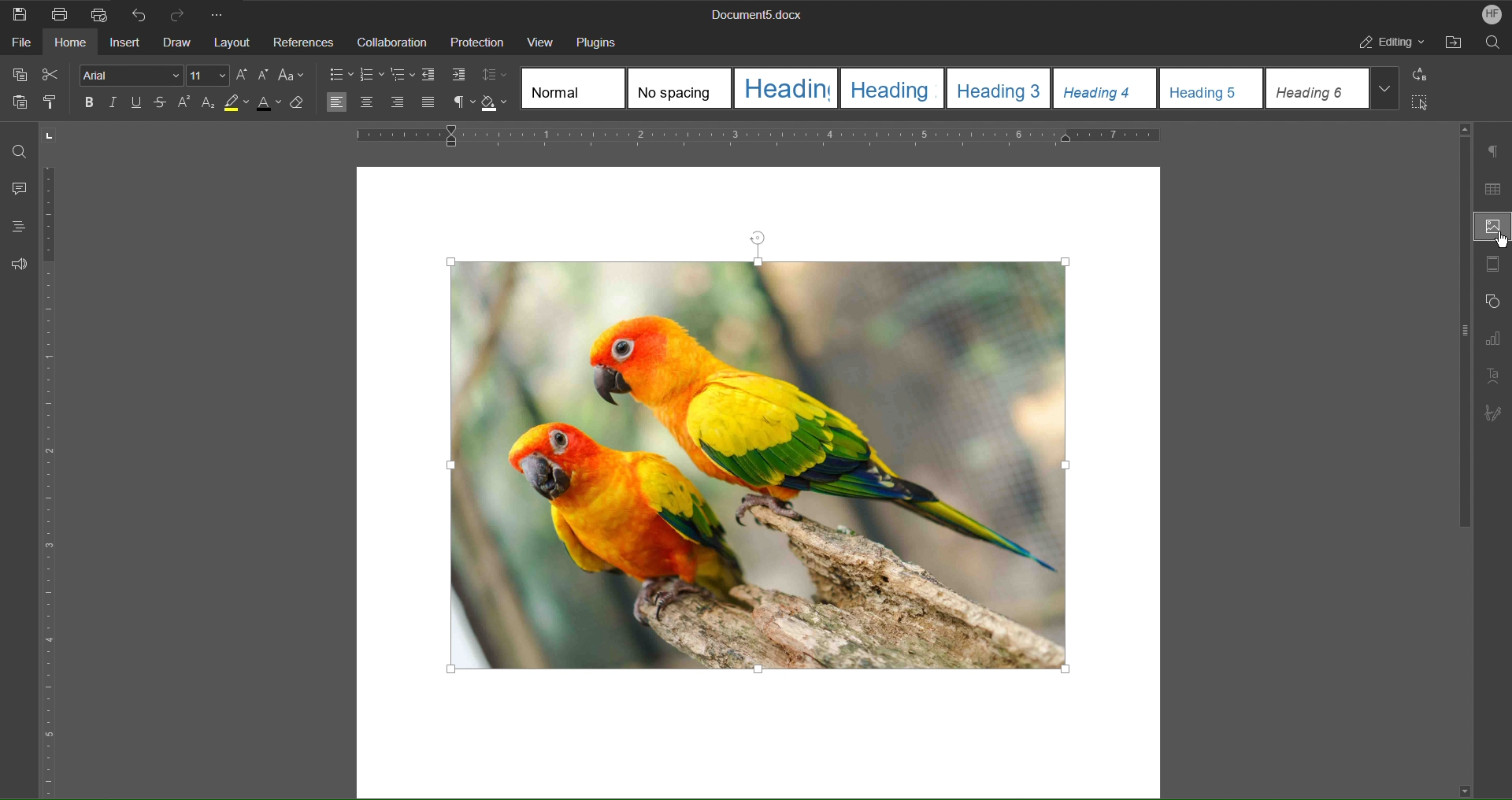  I want to click on Strikethrough, so click(161, 105).